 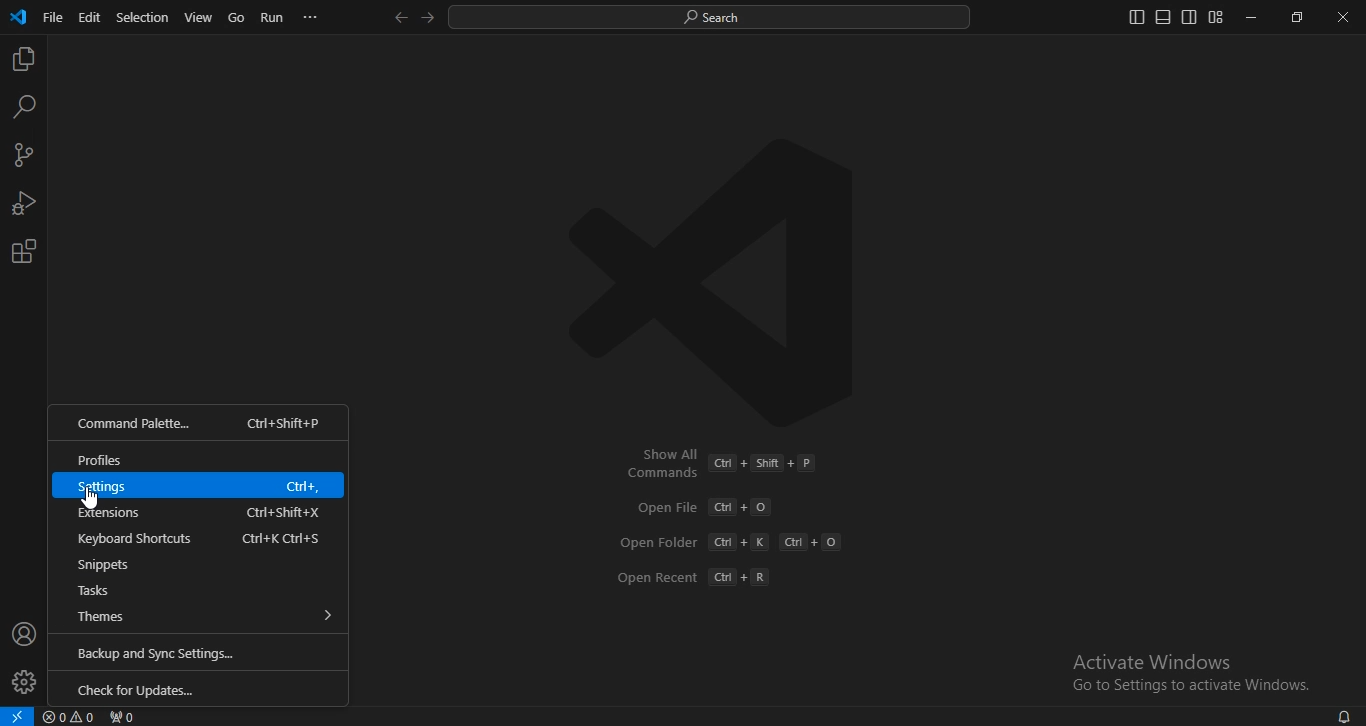 What do you see at coordinates (17, 716) in the screenshot?
I see `open a remote window` at bounding box center [17, 716].